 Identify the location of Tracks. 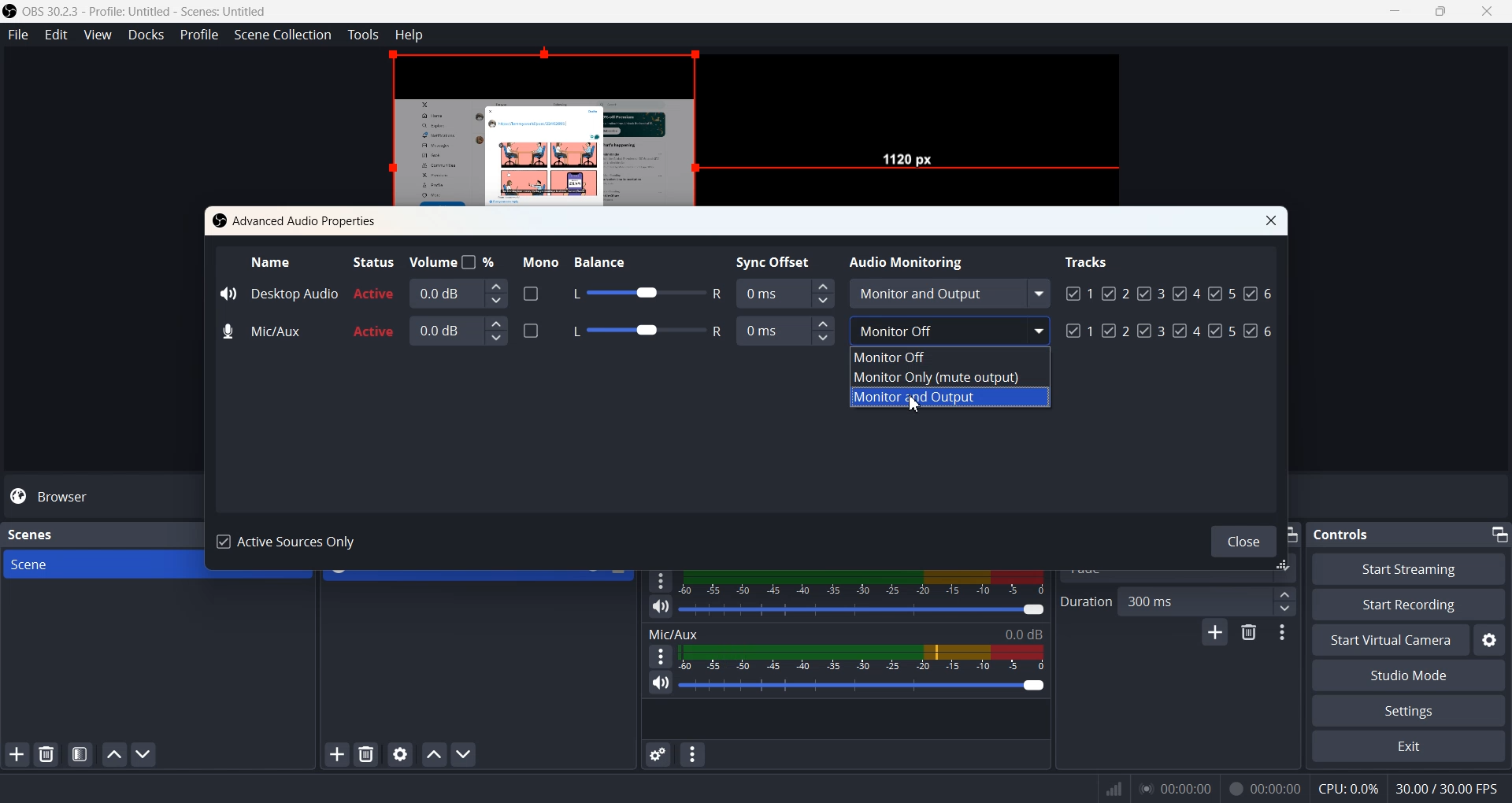
(1088, 261).